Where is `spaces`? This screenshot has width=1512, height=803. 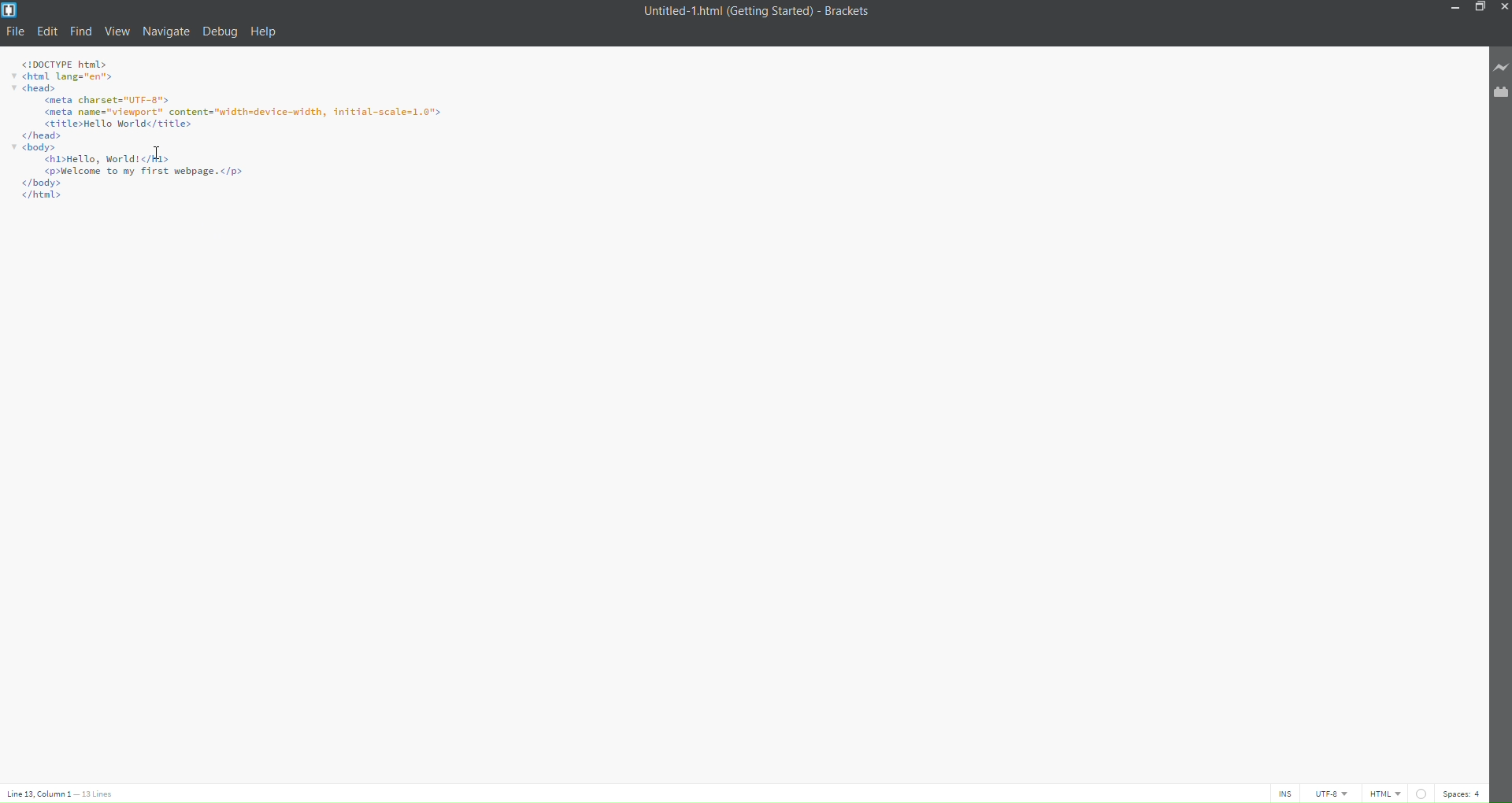 spaces is located at coordinates (1463, 792).